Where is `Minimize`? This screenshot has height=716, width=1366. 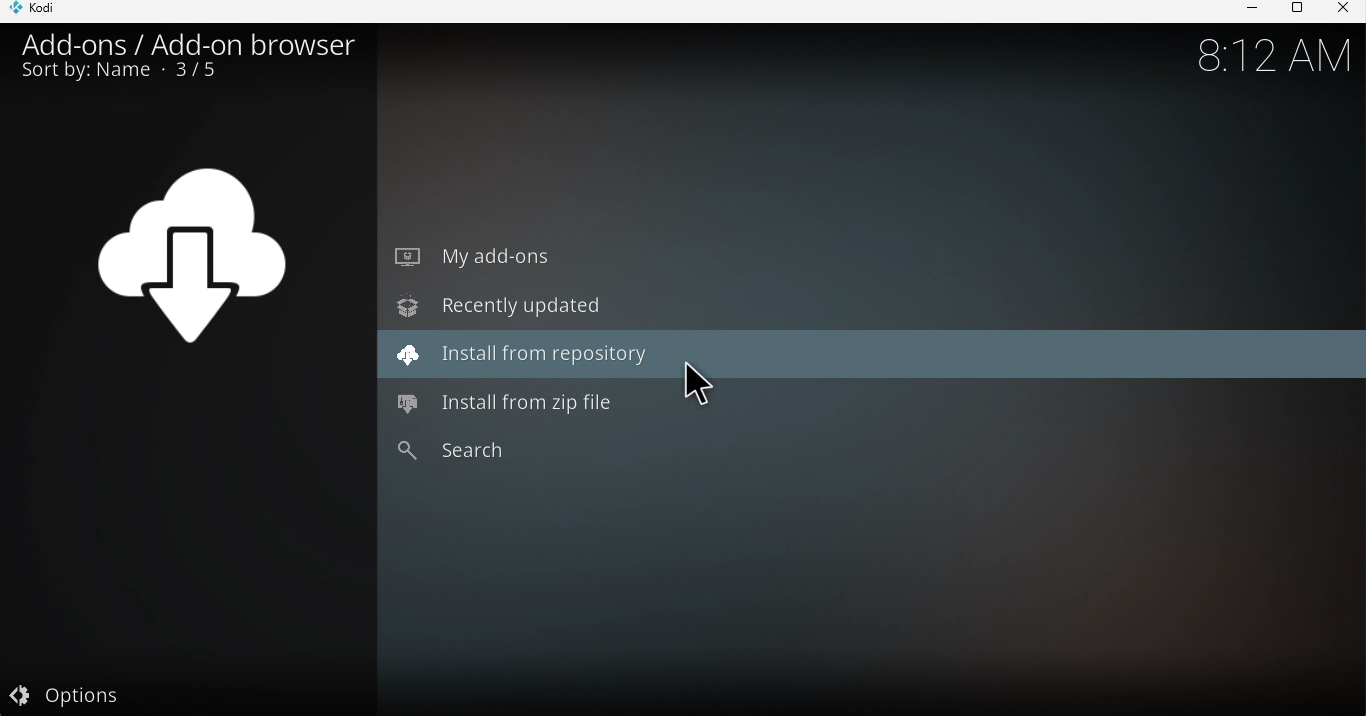 Minimize is located at coordinates (1246, 11).